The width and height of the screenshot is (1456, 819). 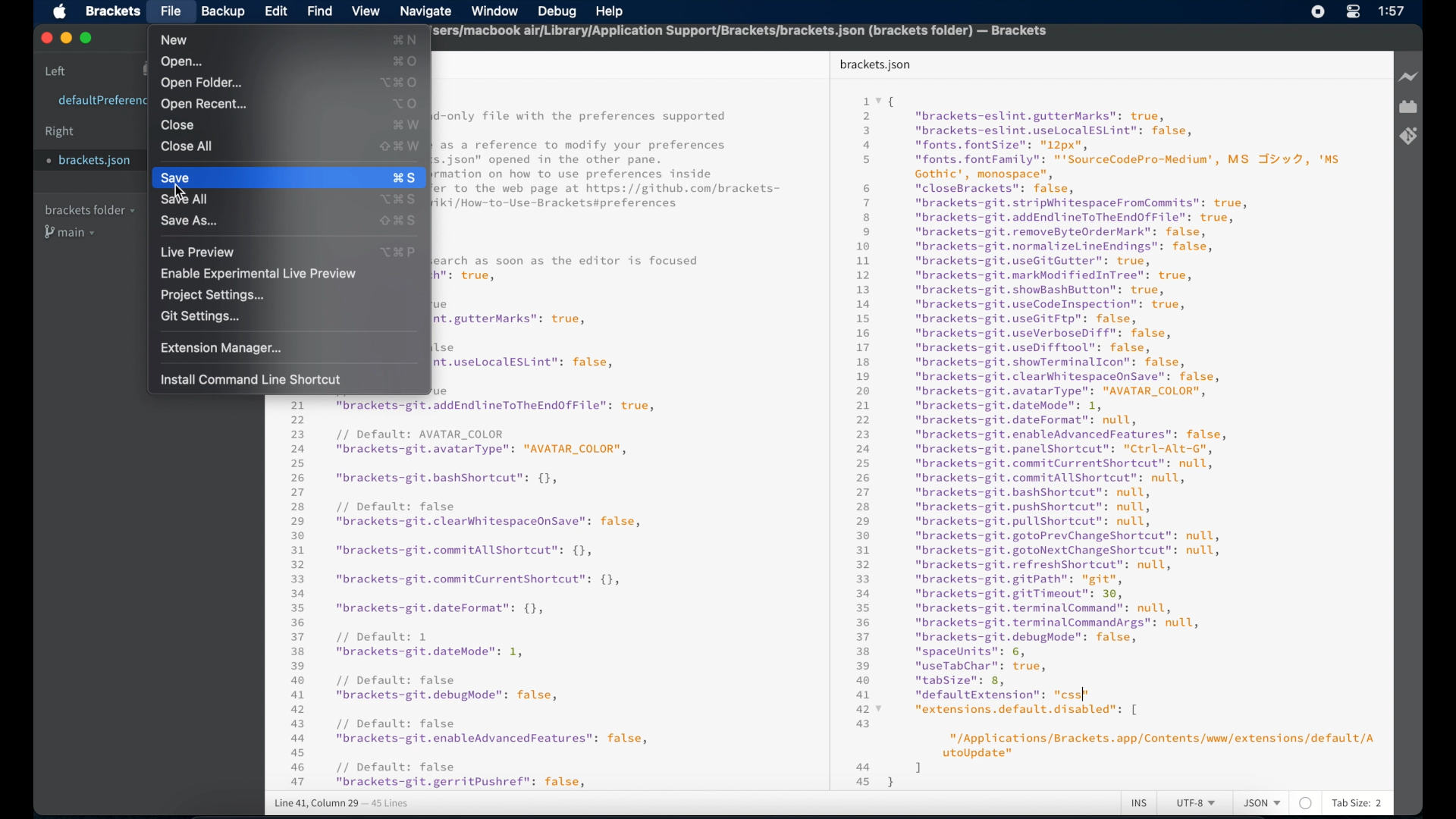 What do you see at coordinates (275, 11) in the screenshot?
I see `edit` at bounding box center [275, 11].